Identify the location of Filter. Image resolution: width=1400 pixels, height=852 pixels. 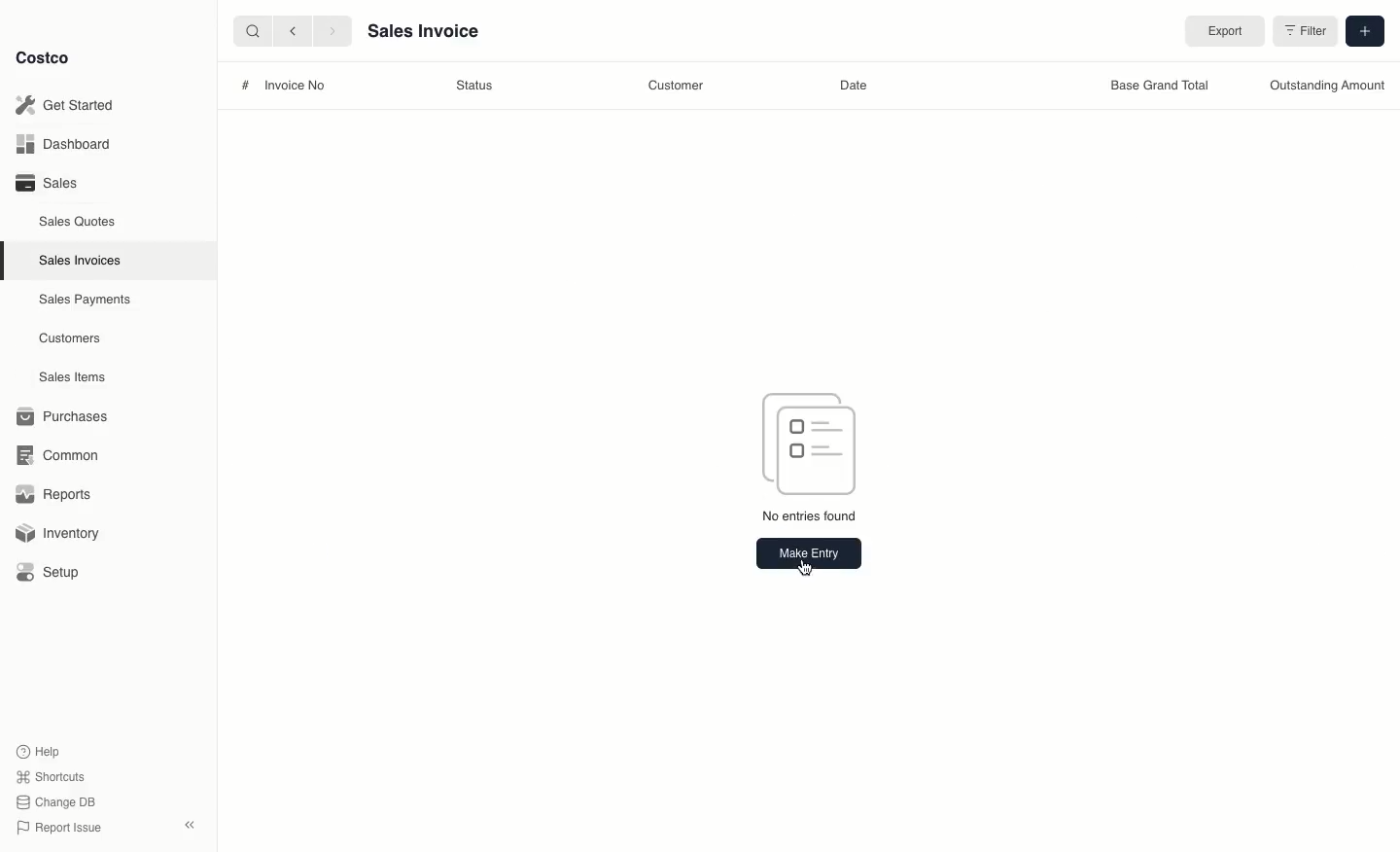
(1302, 32).